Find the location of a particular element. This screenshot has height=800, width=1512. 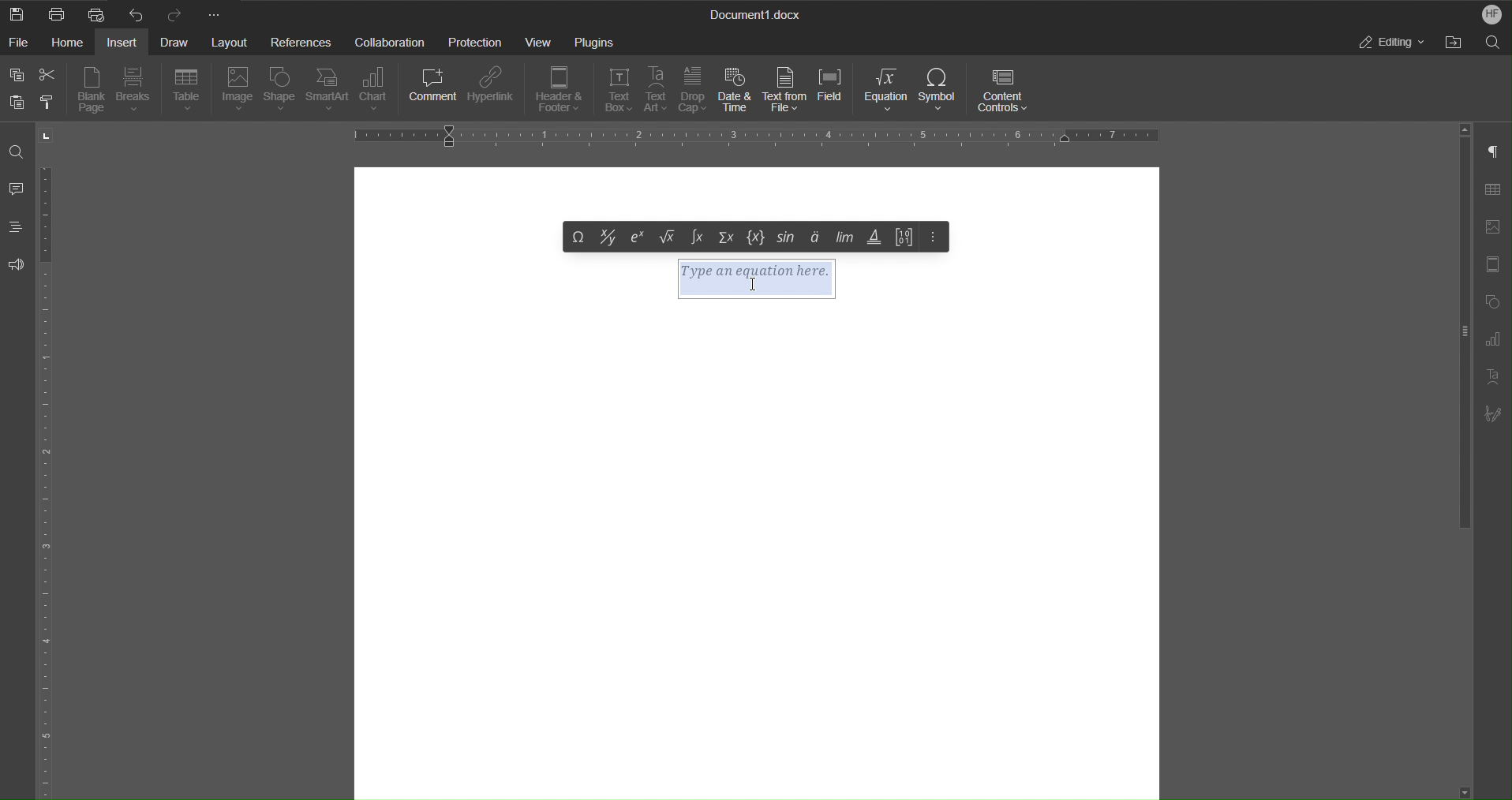

Text from File is located at coordinates (786, 90).